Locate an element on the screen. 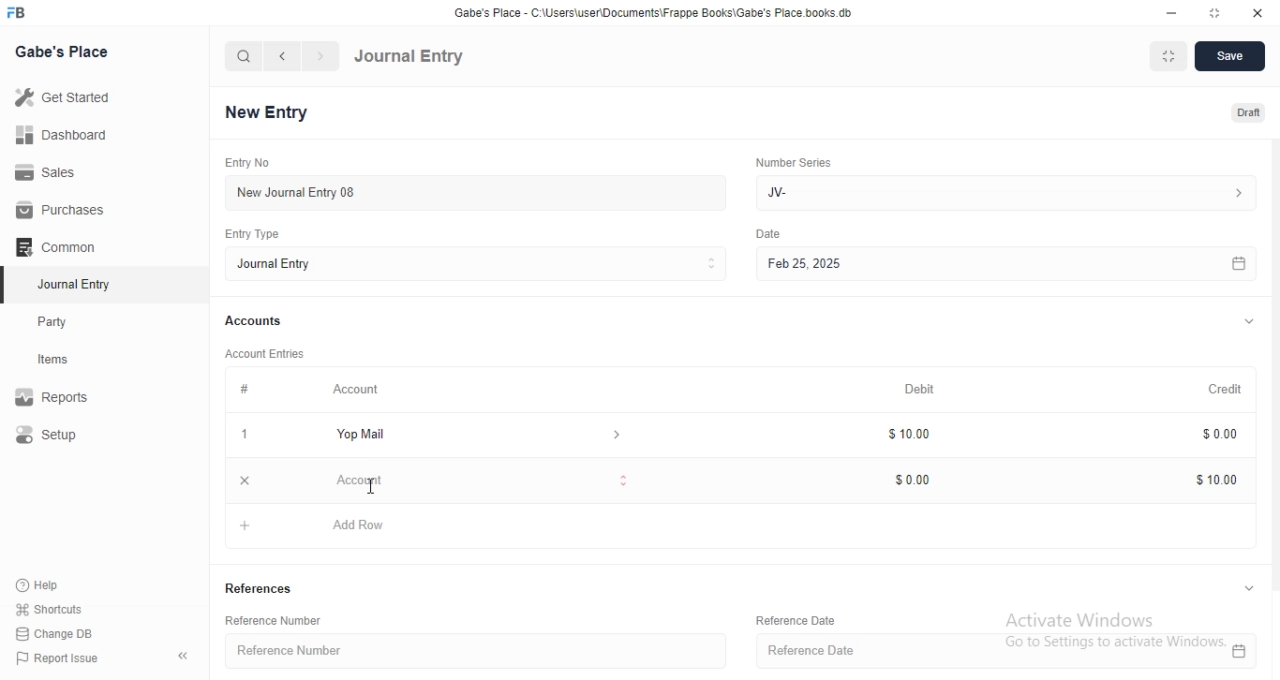  Account Entries is located at coordinates (267, 354).